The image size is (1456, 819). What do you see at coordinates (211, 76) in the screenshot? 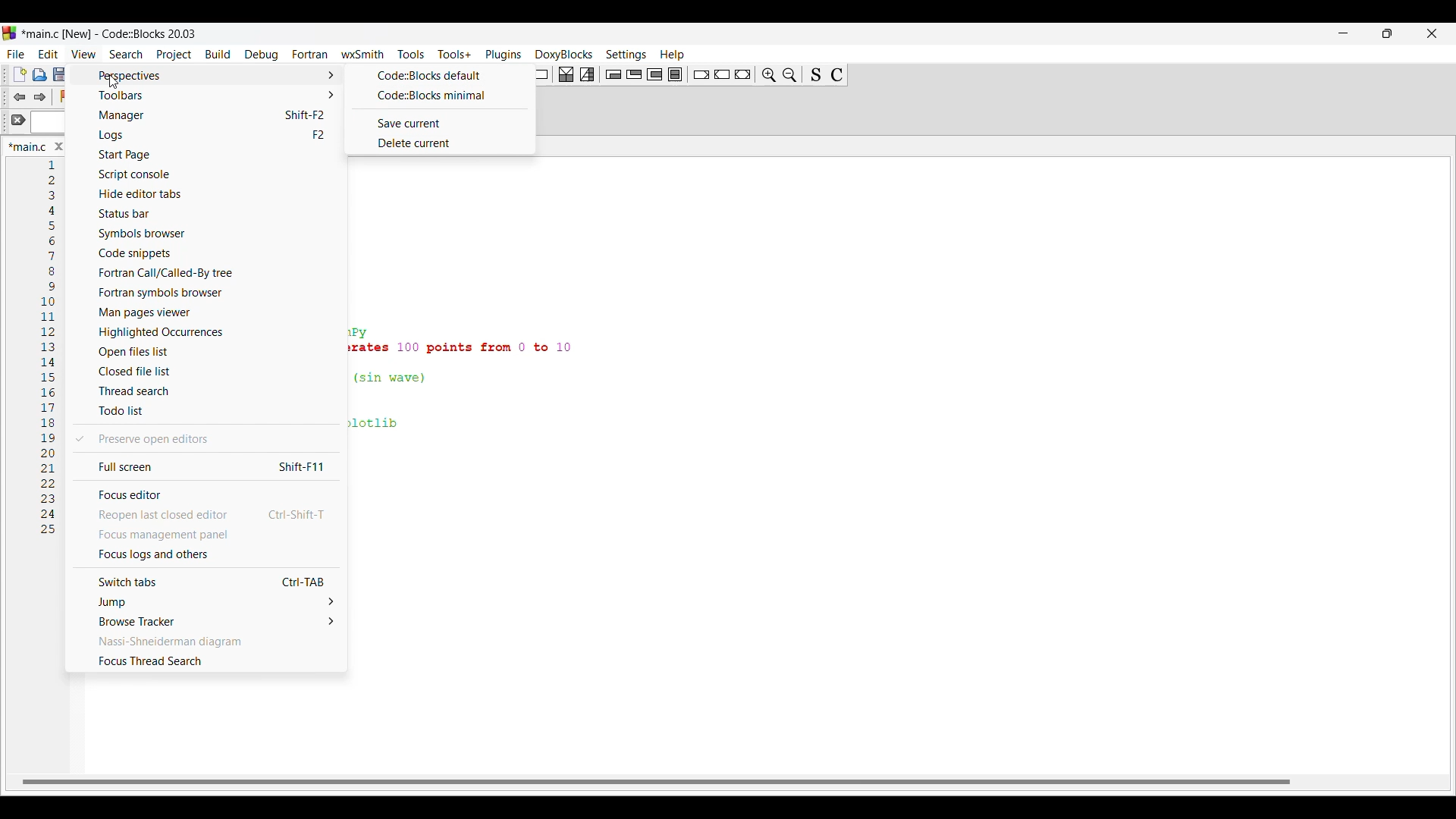
I see `Persoective options` at bounding box center [211, 76].